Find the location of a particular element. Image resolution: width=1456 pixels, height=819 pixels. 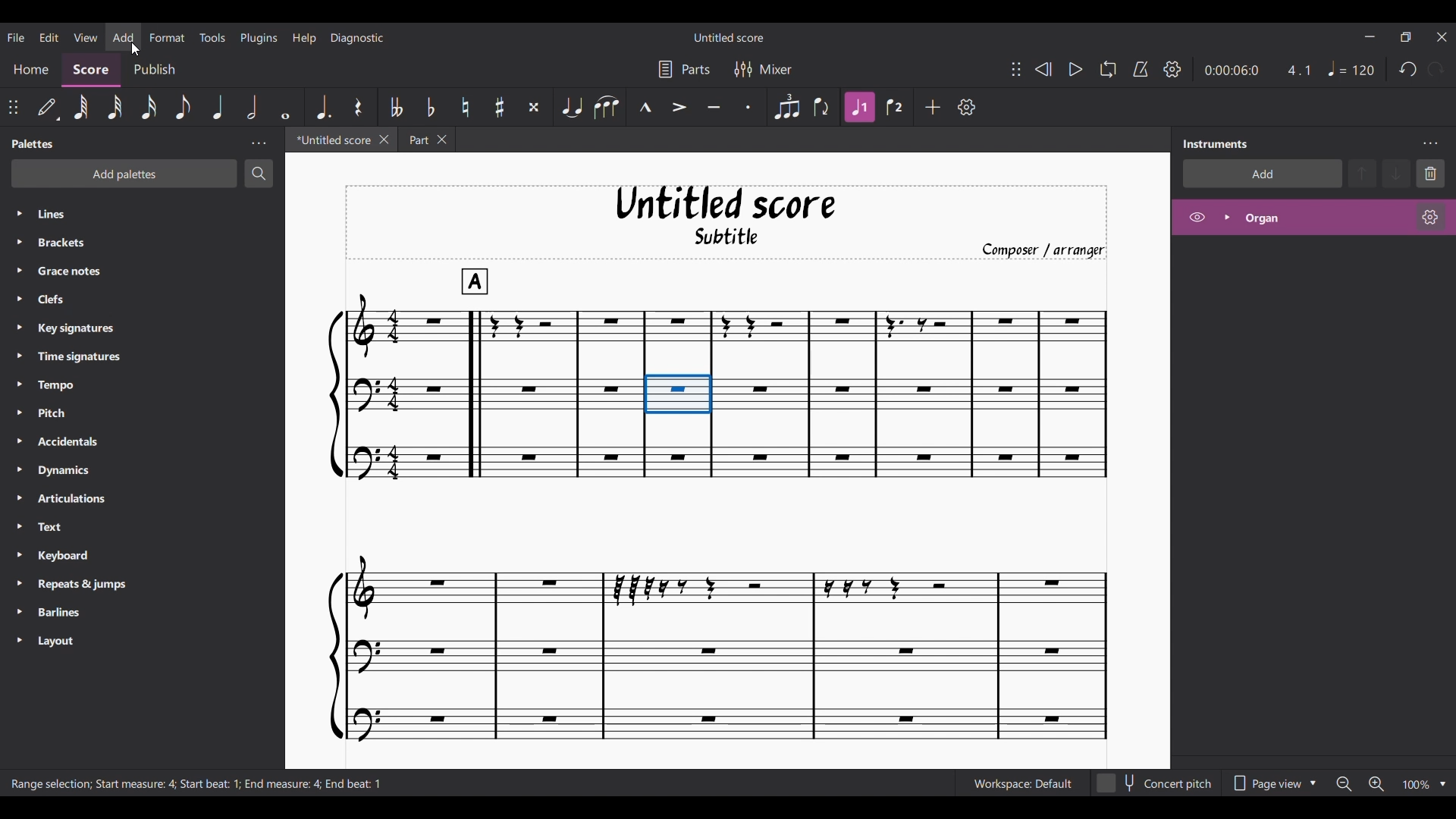

Close Part tab is located at coordinates (442, 140).